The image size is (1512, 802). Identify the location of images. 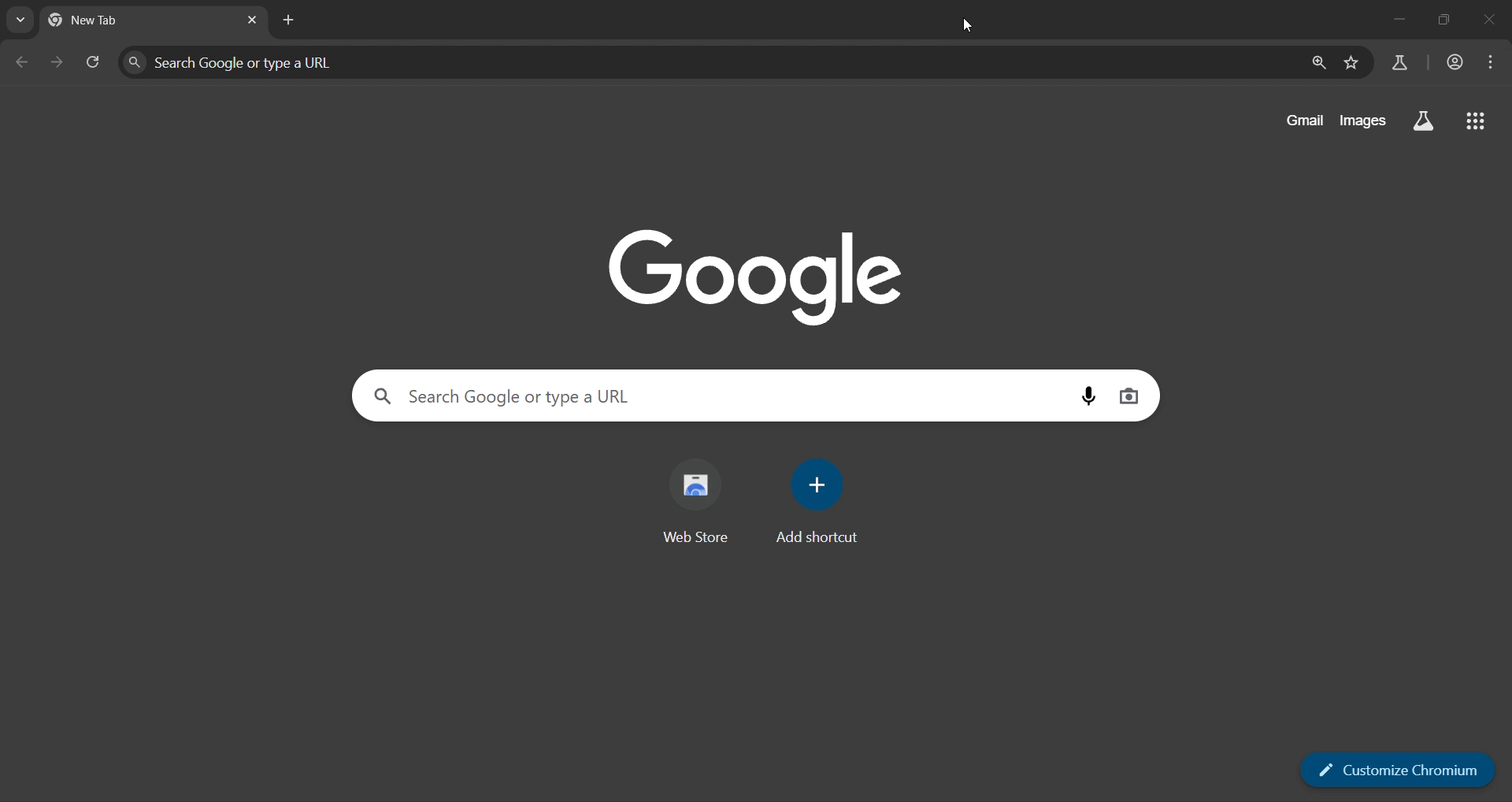
(1362, 119).